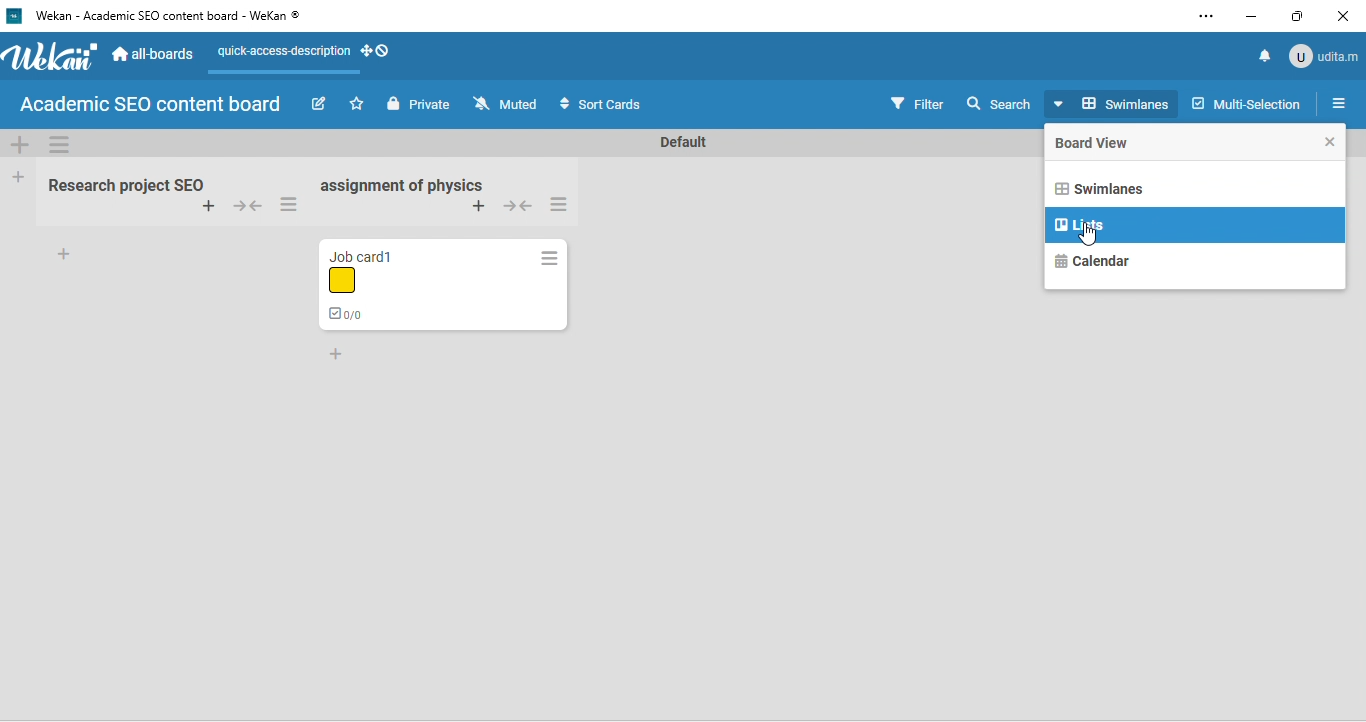 The height and width of the screenshot is (722, 1366). Describe the element at coordinates (1246, 105) in the screenshot. I see `multi selection` at that location.